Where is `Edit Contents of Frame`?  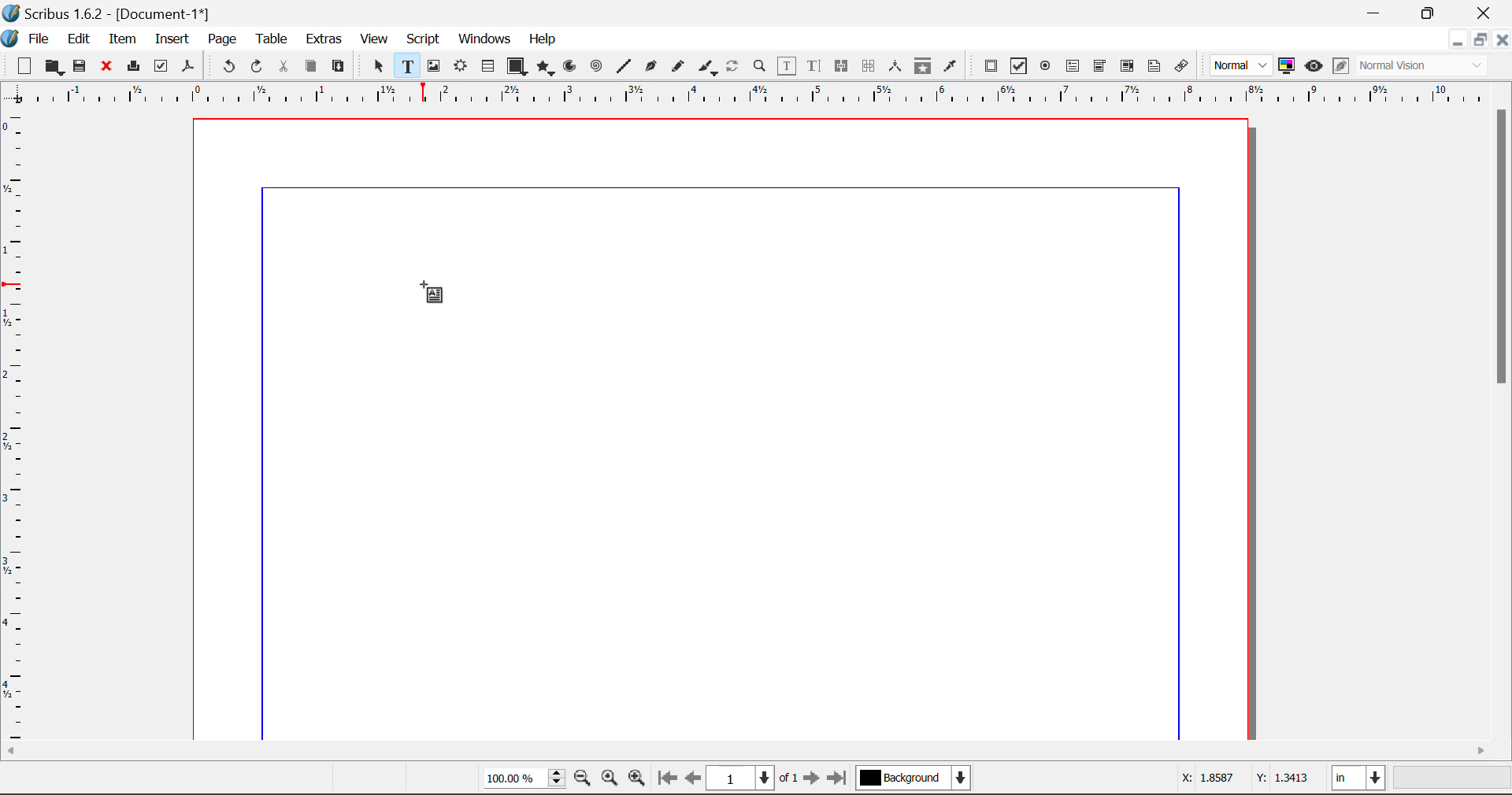
Edit Contents of Frame is located at coordinates (787, 65).